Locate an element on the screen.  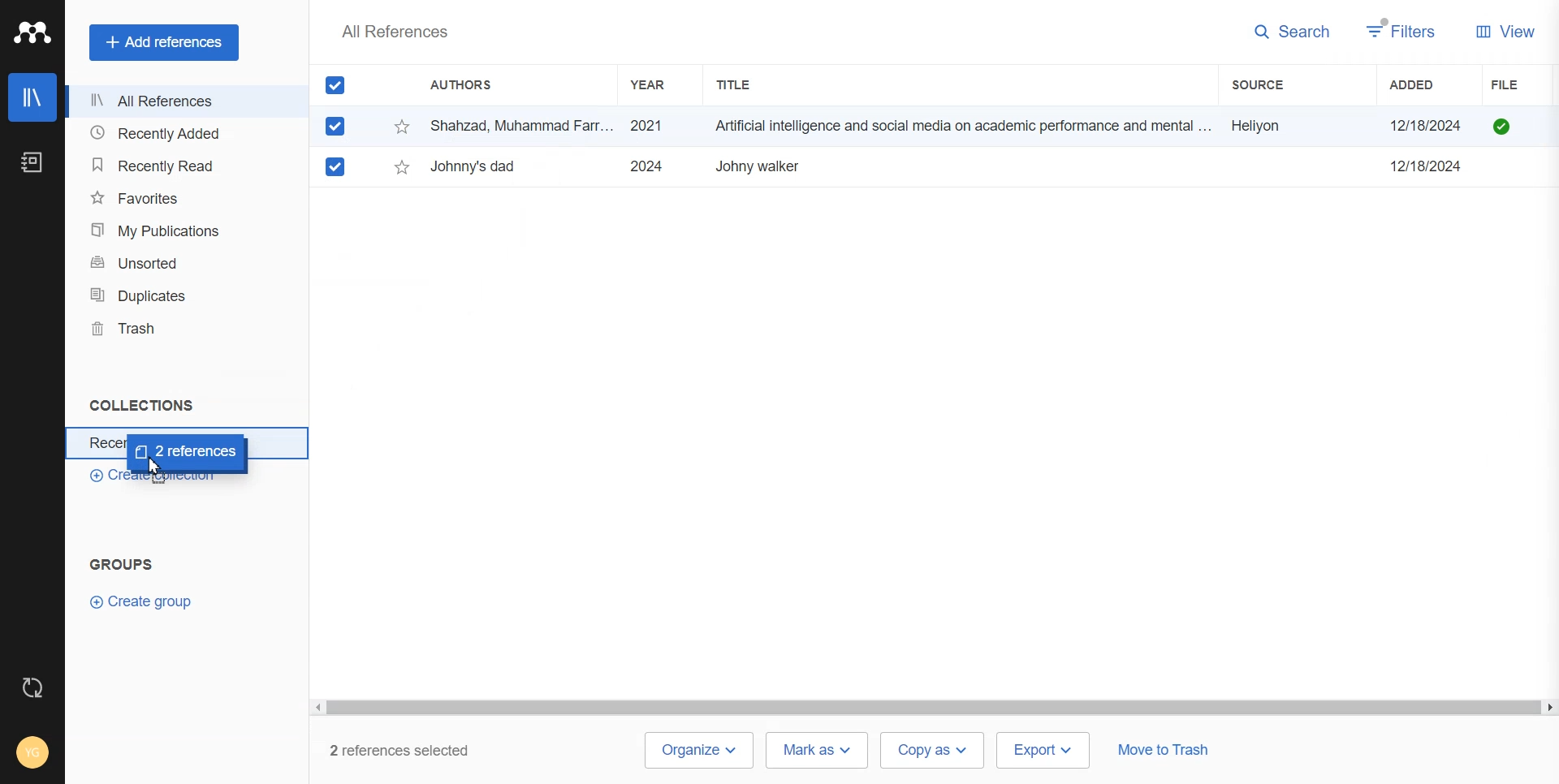
File is located at coordinates (1524, 85).